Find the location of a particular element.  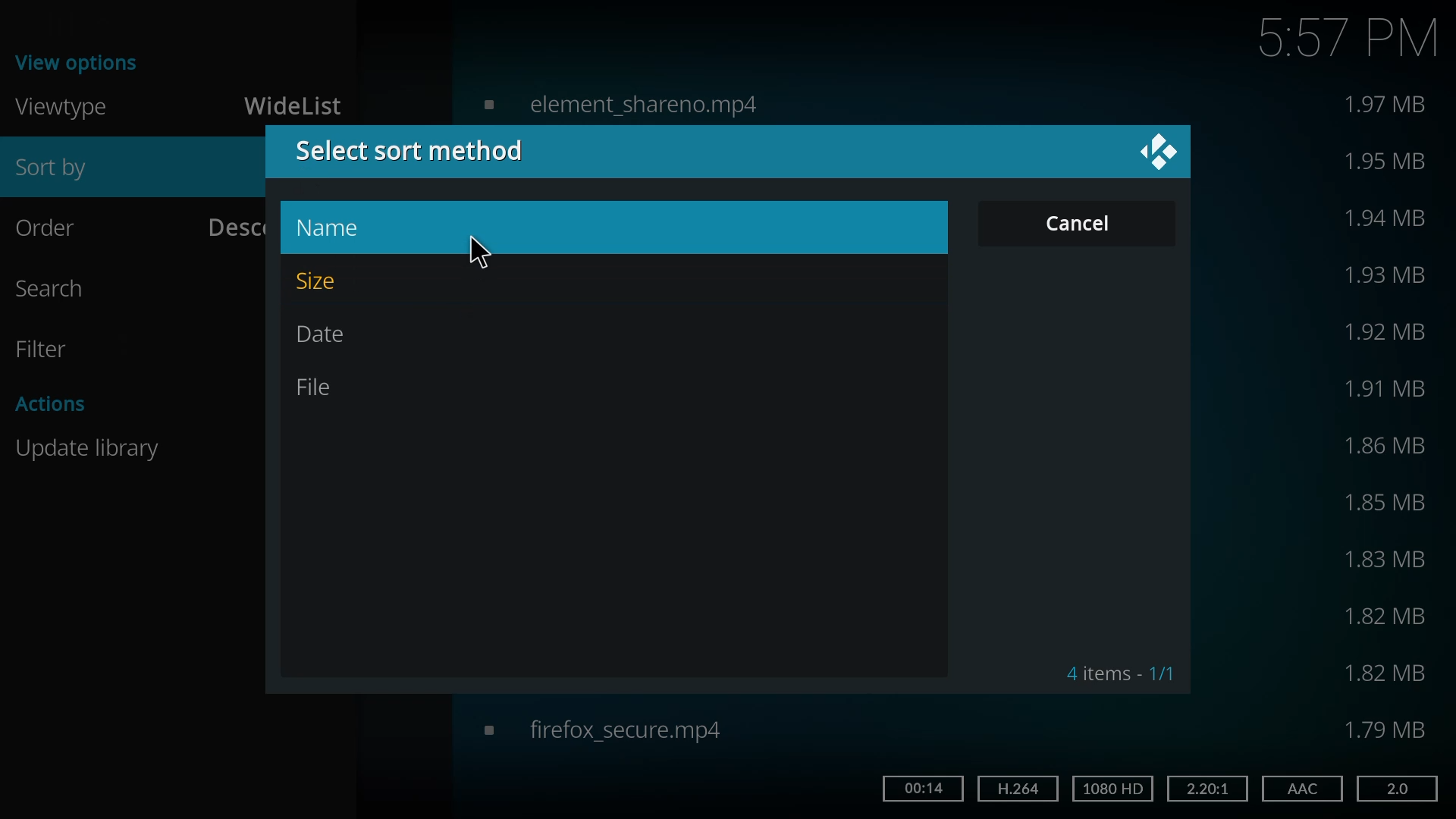

viewtype is located at coordinates (65, 106).